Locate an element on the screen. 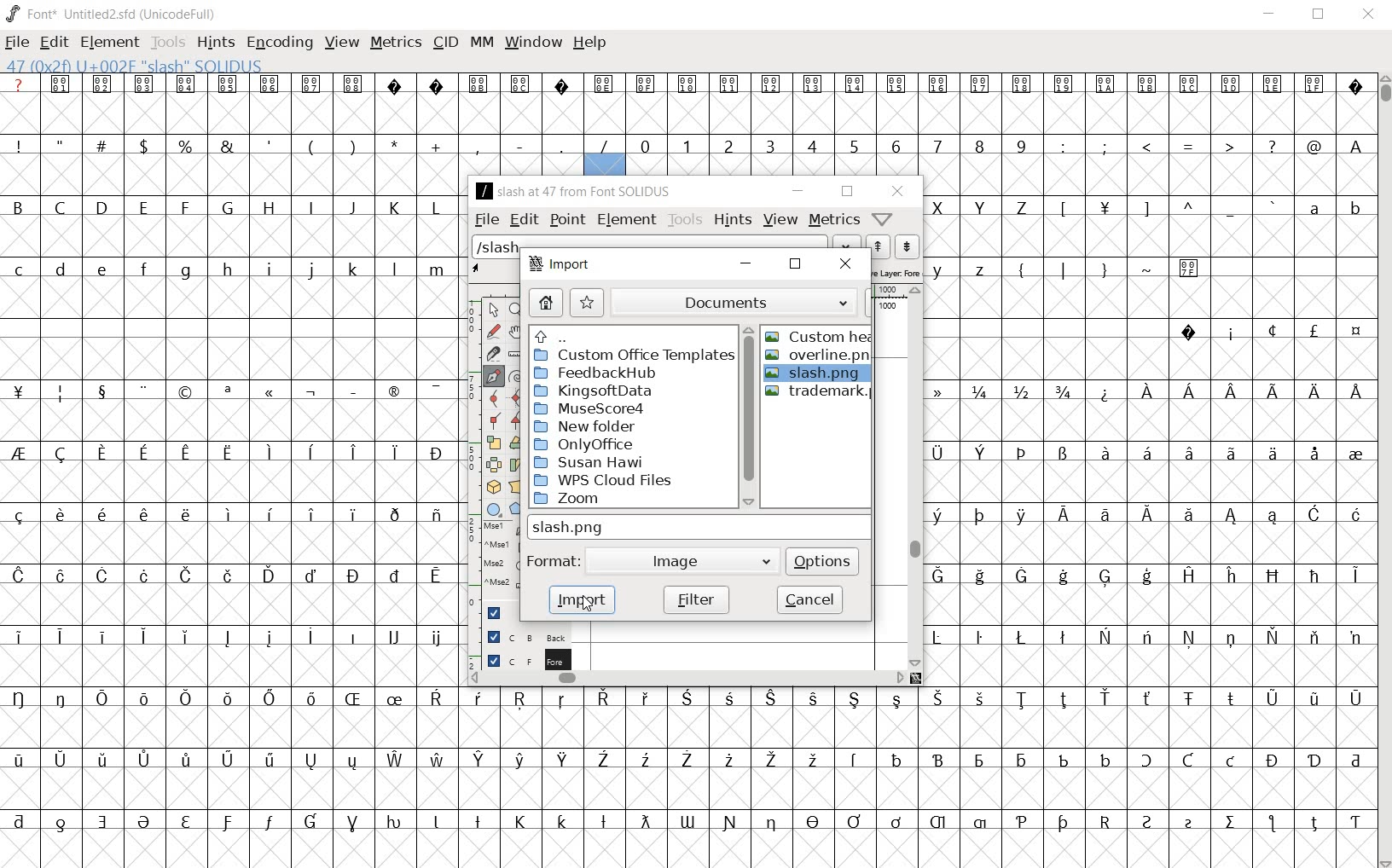  pointer is located at coordinates (492, 310).